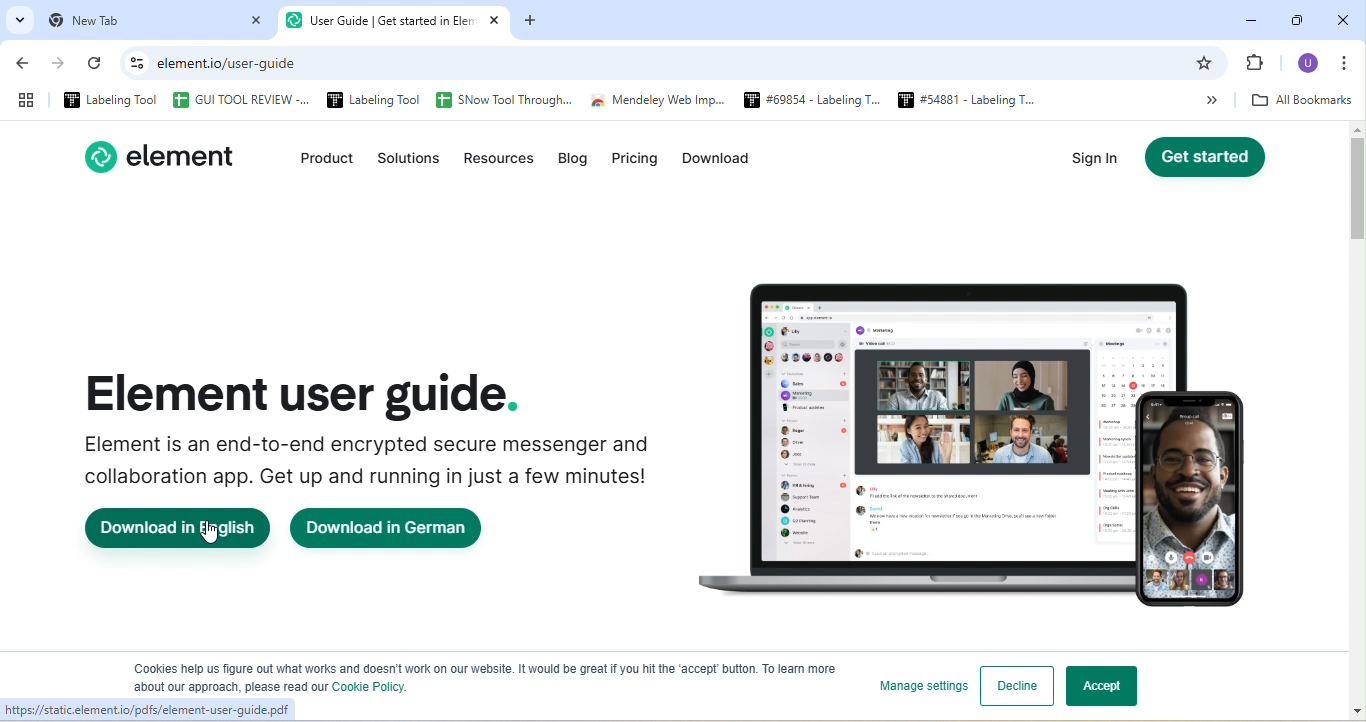 This screenshot has width=1366, height=722. I want to click on close, so click(1343, 18).